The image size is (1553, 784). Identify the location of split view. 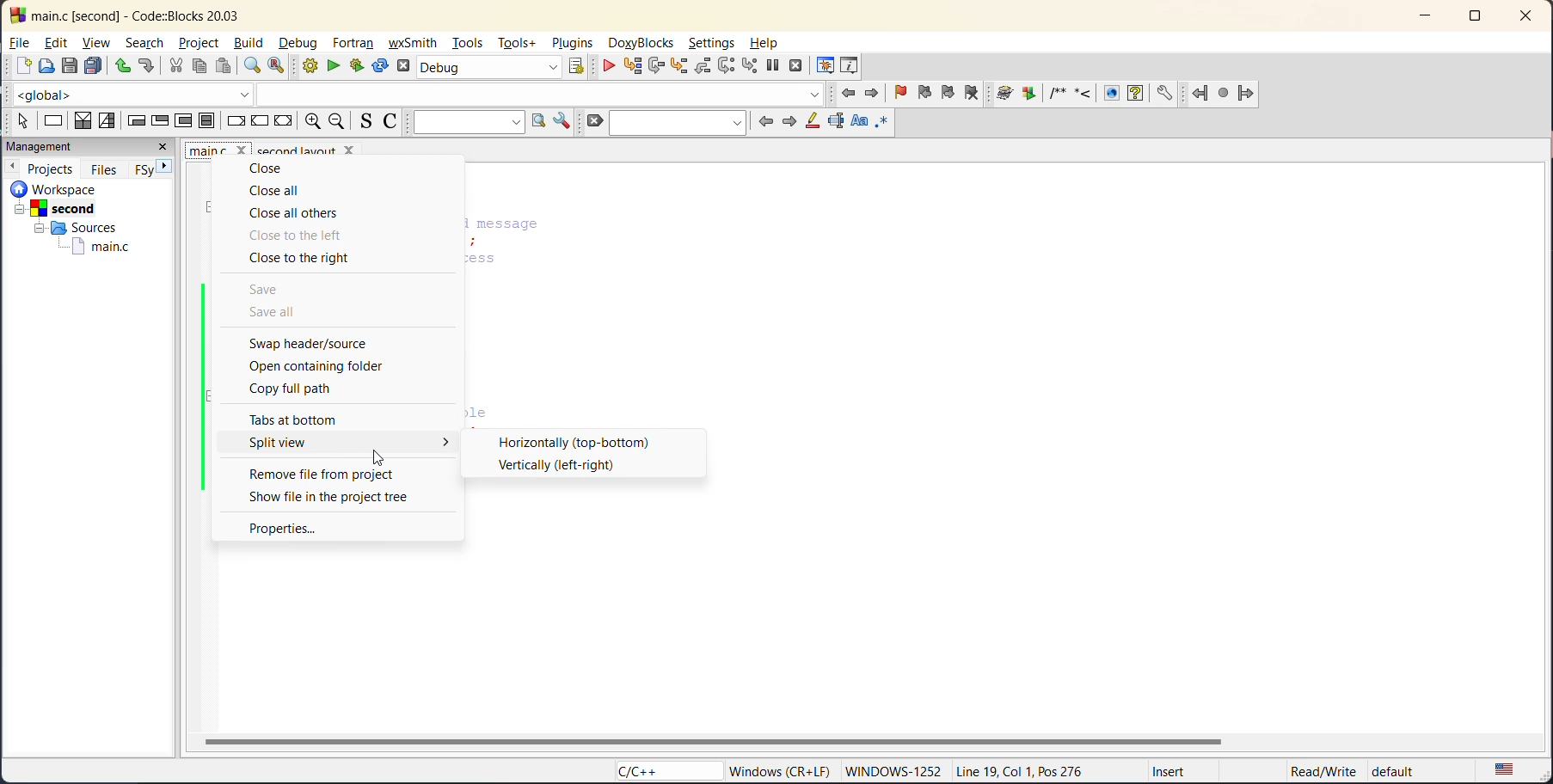
(283, 442).